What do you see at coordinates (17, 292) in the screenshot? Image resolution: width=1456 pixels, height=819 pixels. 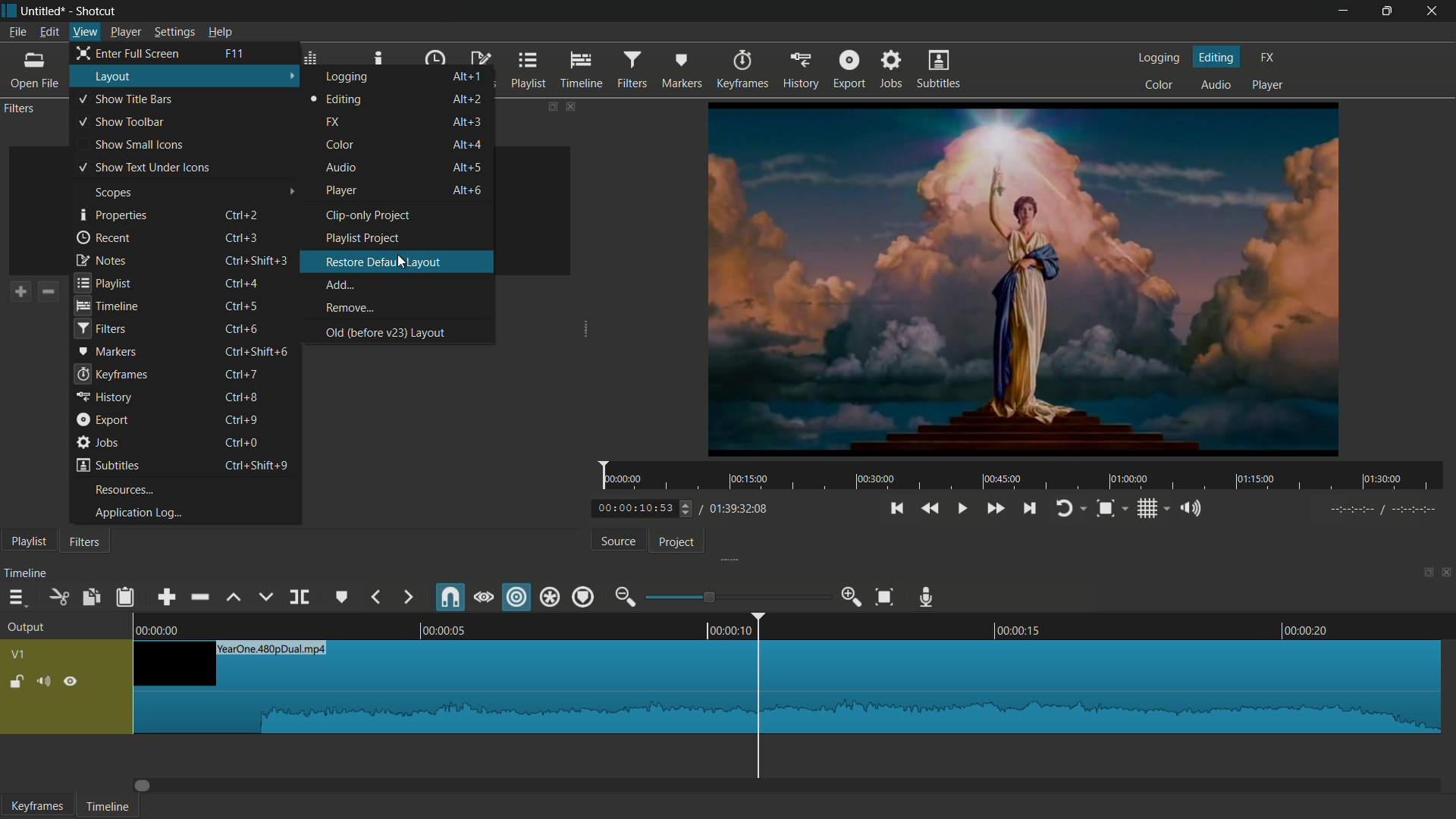 I see `add a filter` at bounding box center [17, 292].